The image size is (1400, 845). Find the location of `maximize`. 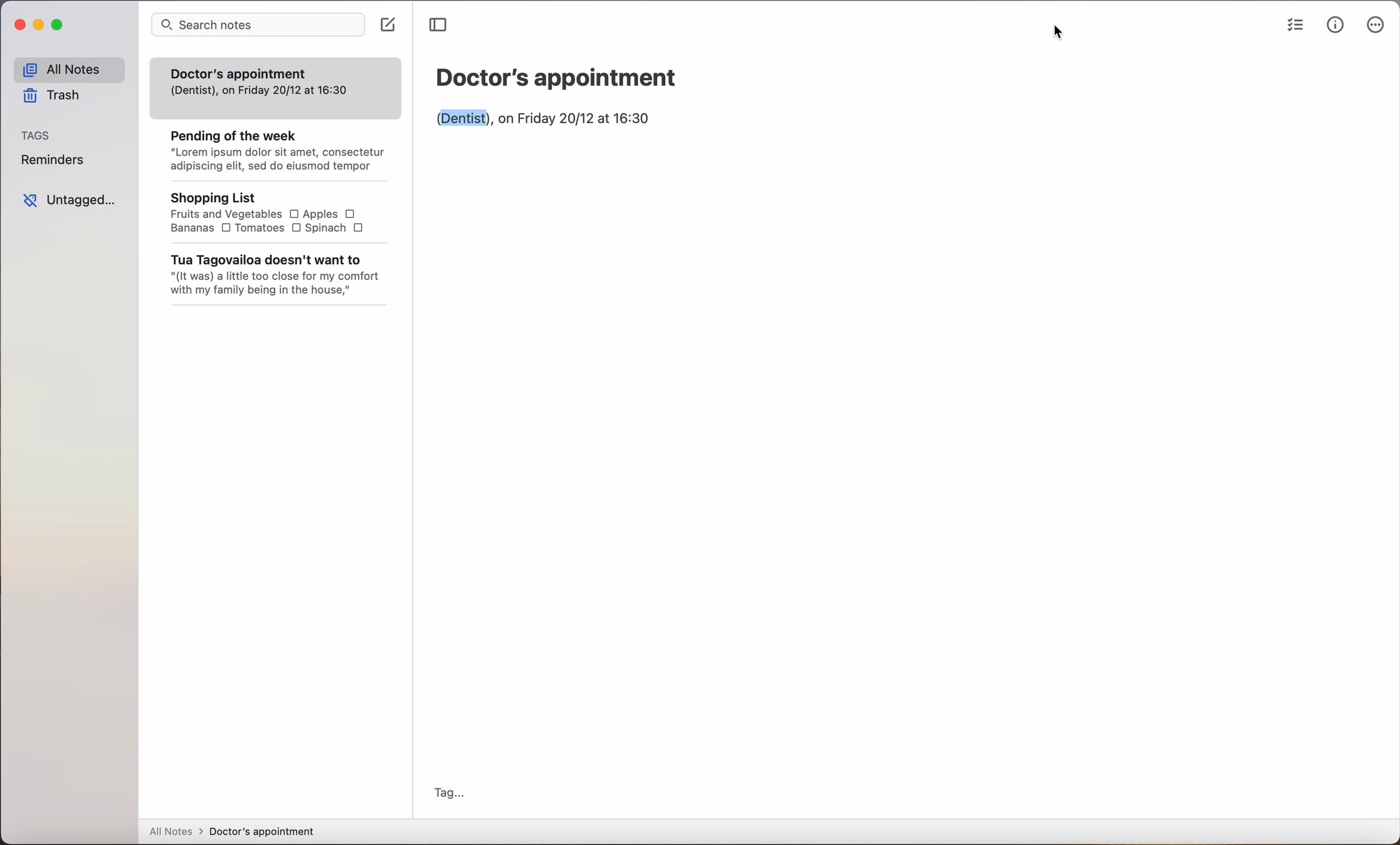

maximize is located at coordinates (60, 26).